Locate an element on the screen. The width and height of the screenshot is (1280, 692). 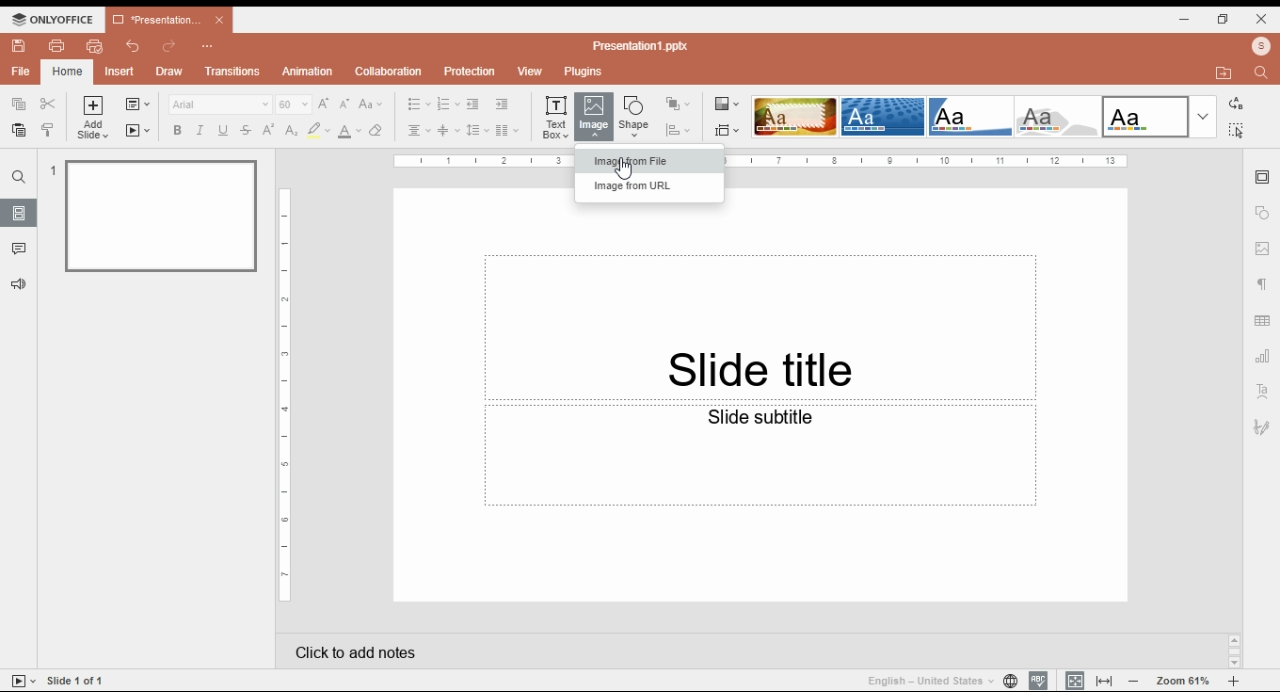
text art  settings is located at coordinates (1262, 390).